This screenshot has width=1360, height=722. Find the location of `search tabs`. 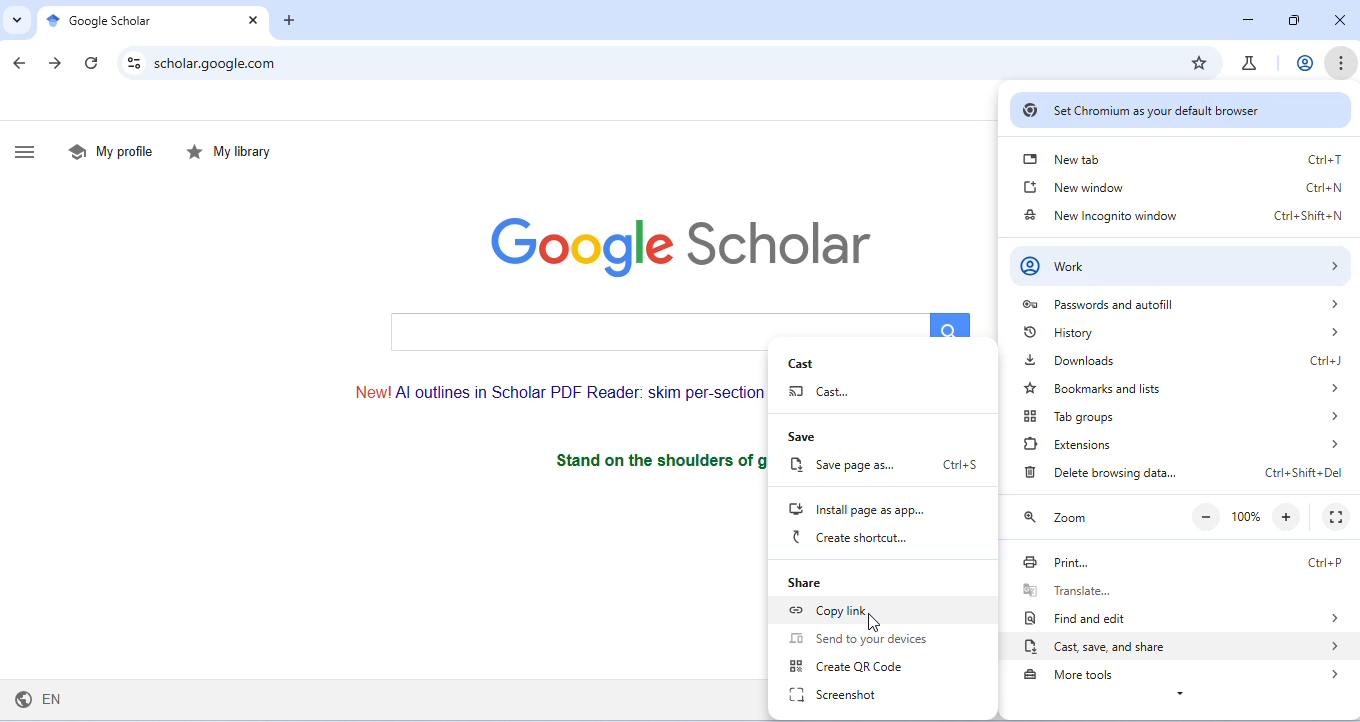

search tabs is located at coordinates (15, 20).